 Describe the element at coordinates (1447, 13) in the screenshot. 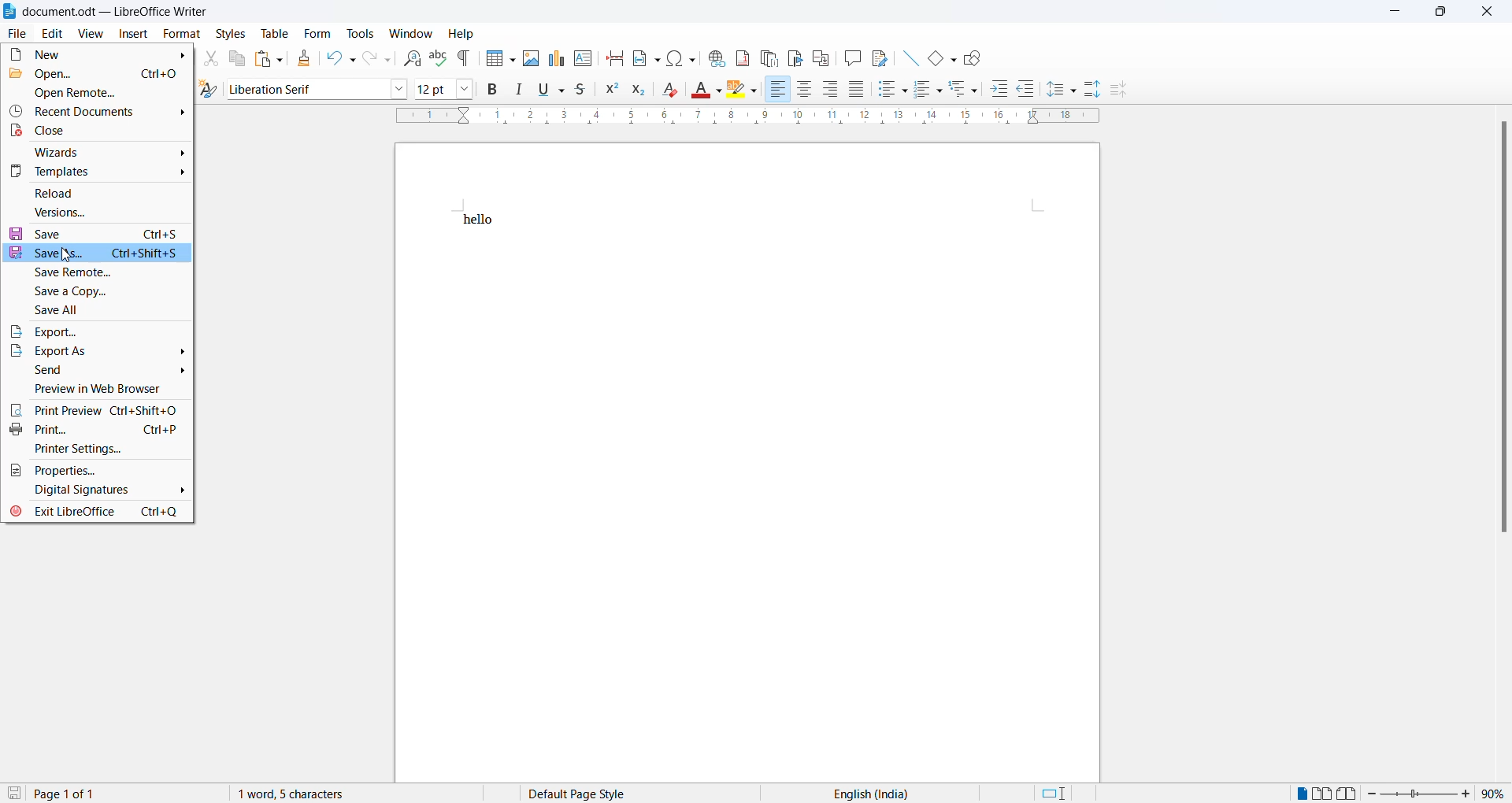

I see `maximize` at that location.